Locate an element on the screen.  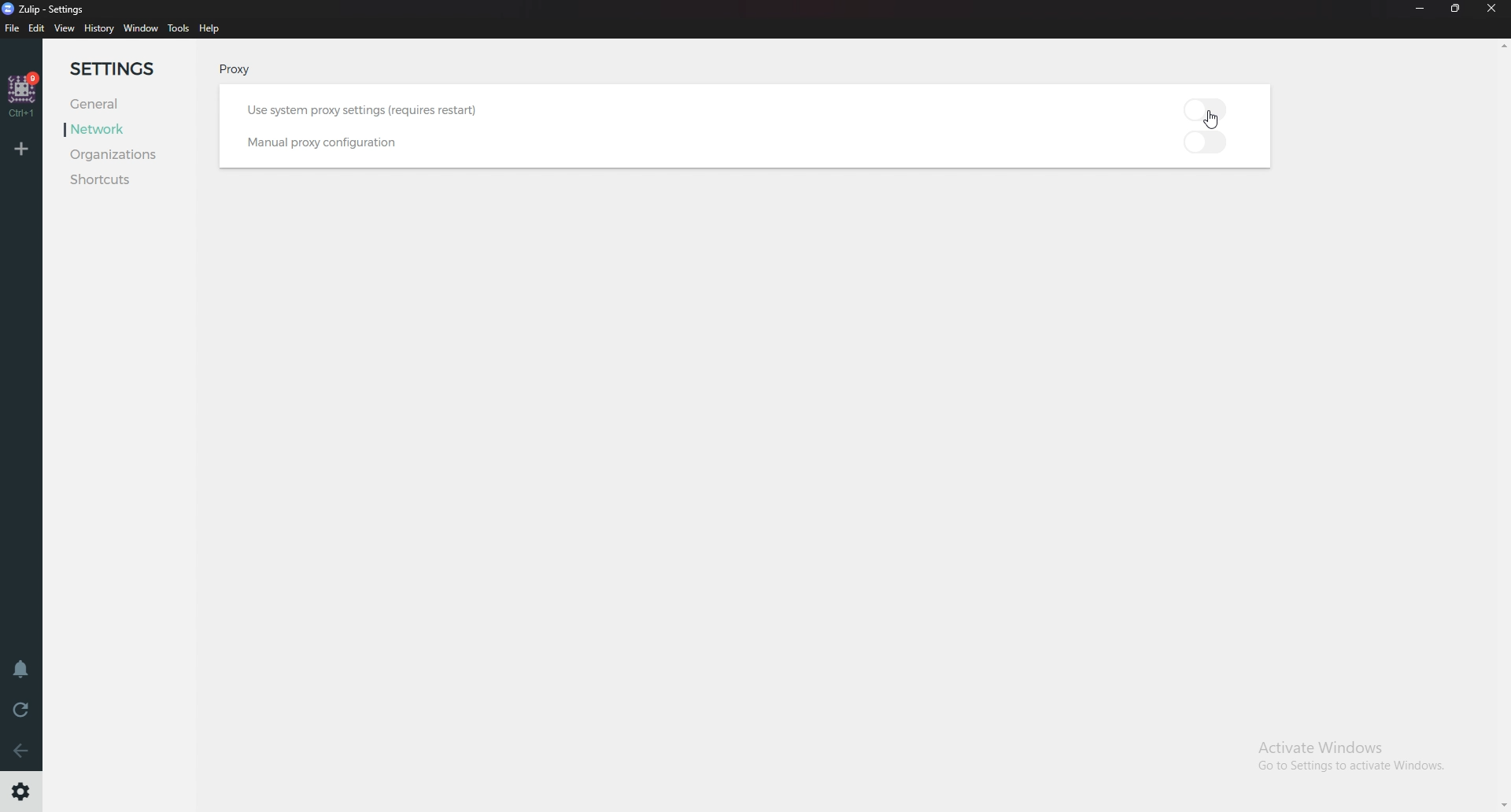
Network is located at coordinates (122, 131).